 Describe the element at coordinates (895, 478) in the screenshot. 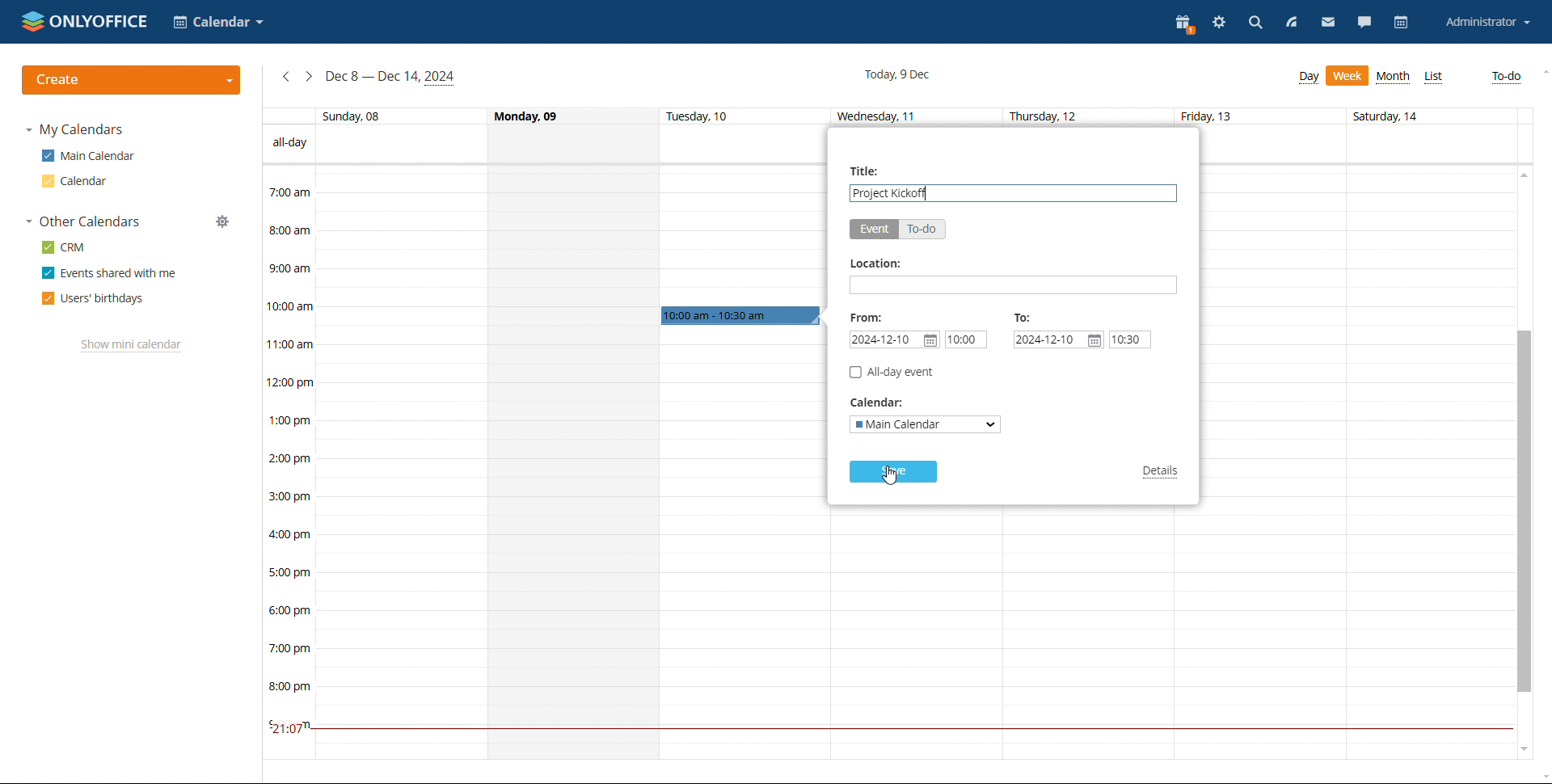

I see `cursor` at that location.